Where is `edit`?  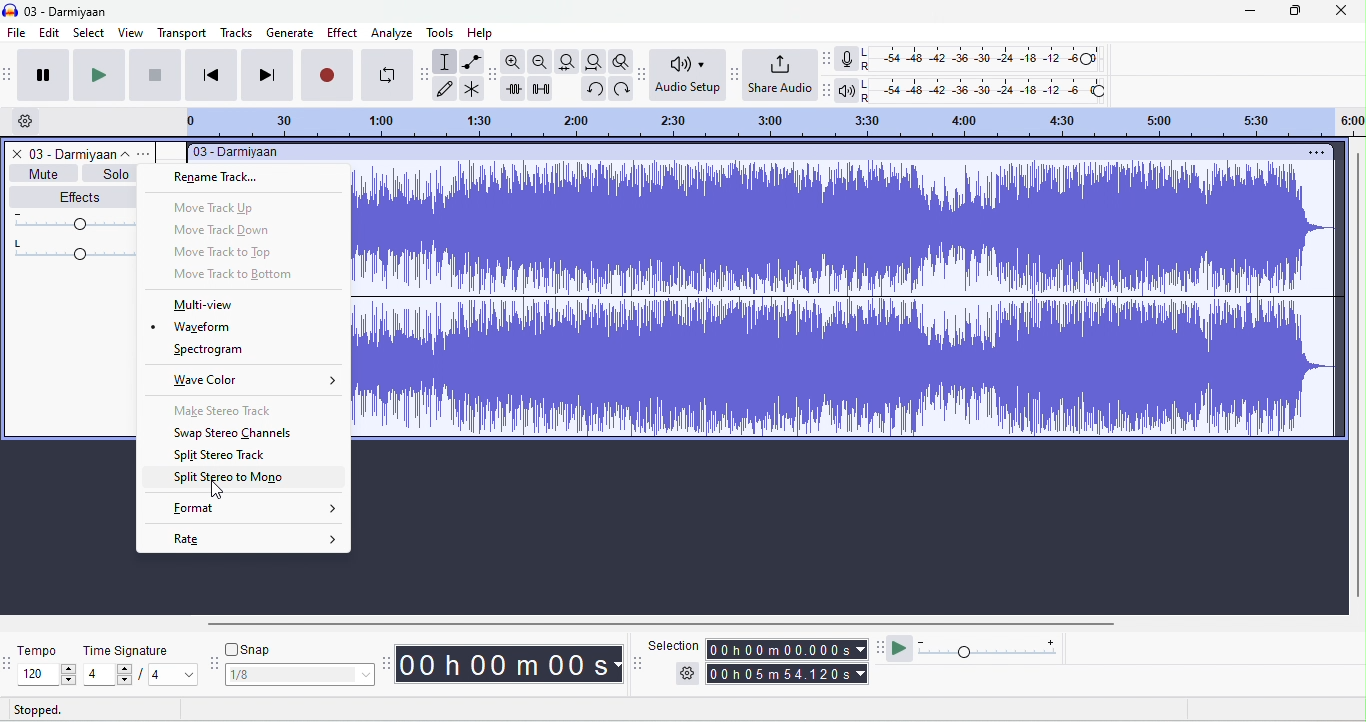 edit is located at coordinates (50, 32).